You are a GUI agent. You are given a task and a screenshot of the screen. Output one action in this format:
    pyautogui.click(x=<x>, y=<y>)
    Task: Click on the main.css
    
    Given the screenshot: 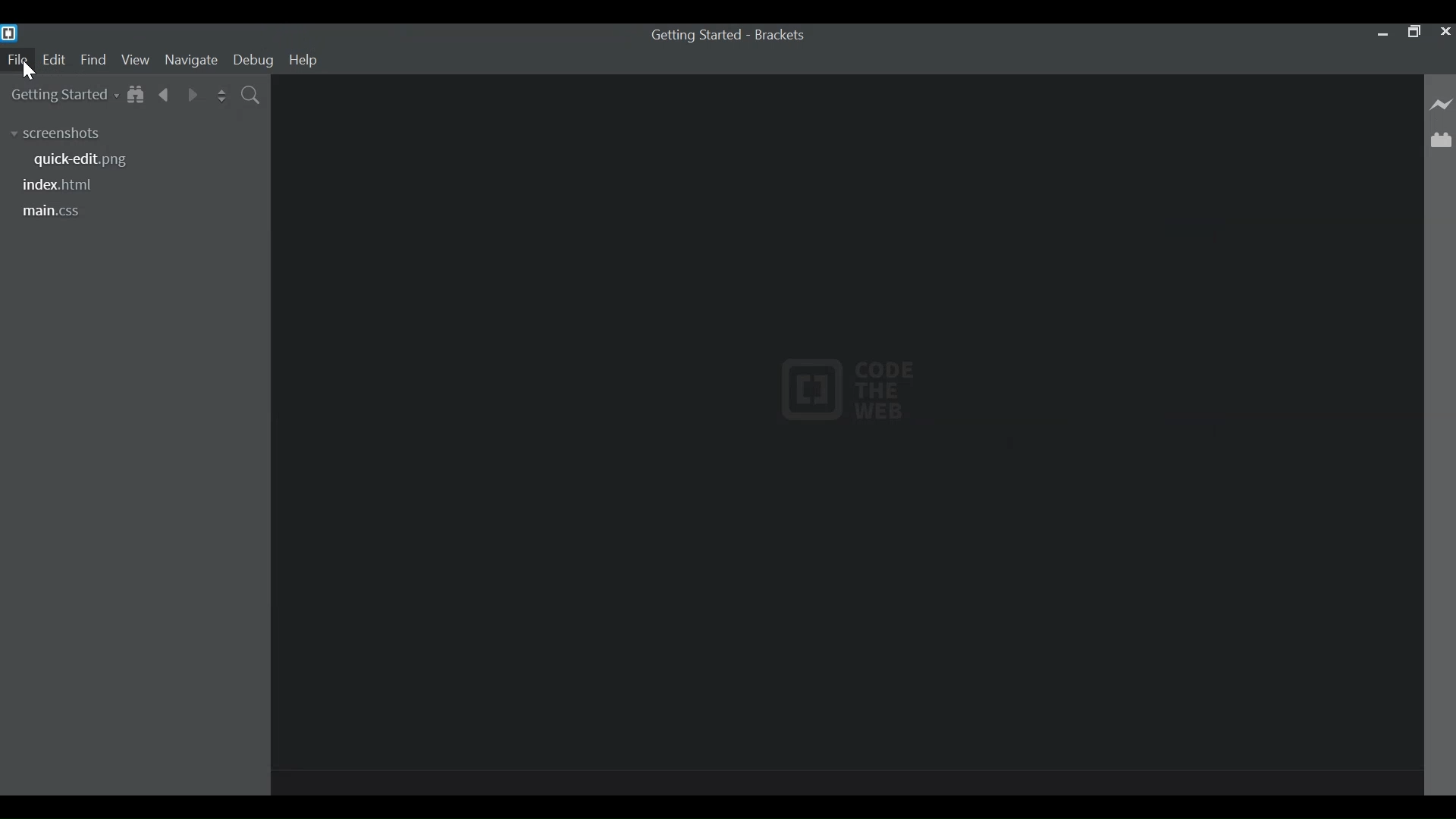 What is the action you would take?
    pyautogui.click(x=52, y=212)
    